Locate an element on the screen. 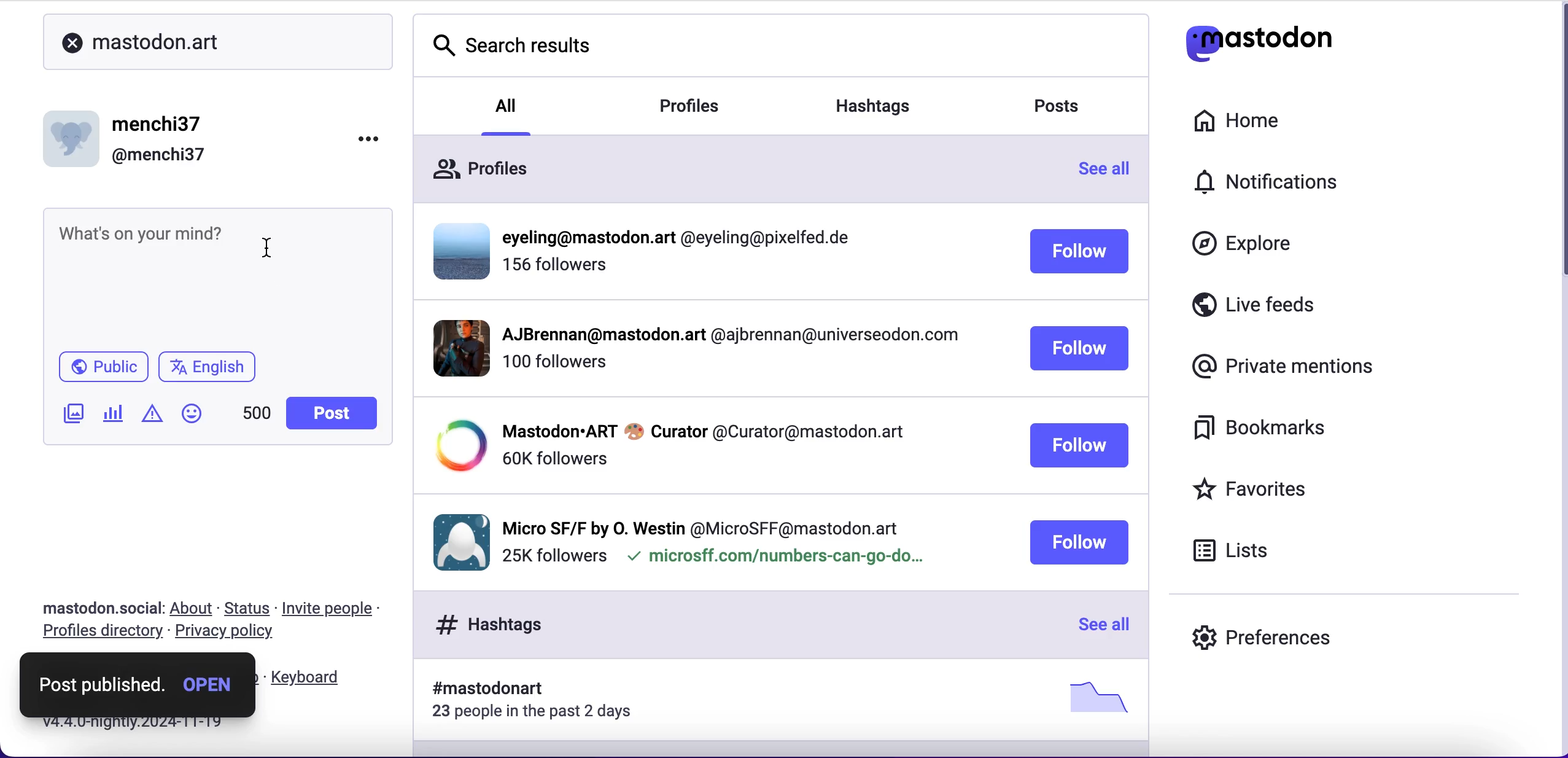 The width and height of the screenshot is (1568, 758). mastodon.art is located at coordinates (146, 36).